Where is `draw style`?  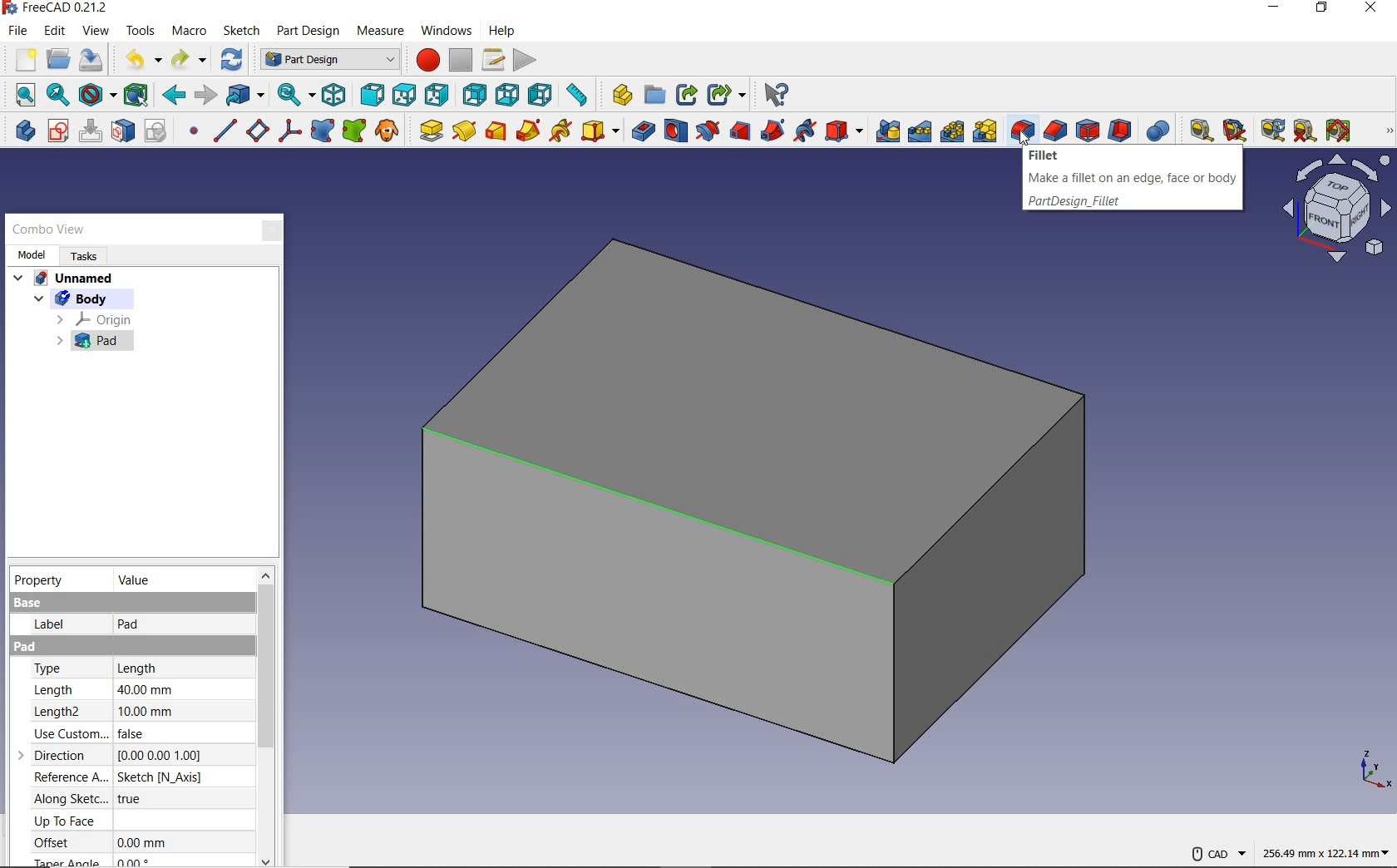 draw style is located at coordinates (99, 96).